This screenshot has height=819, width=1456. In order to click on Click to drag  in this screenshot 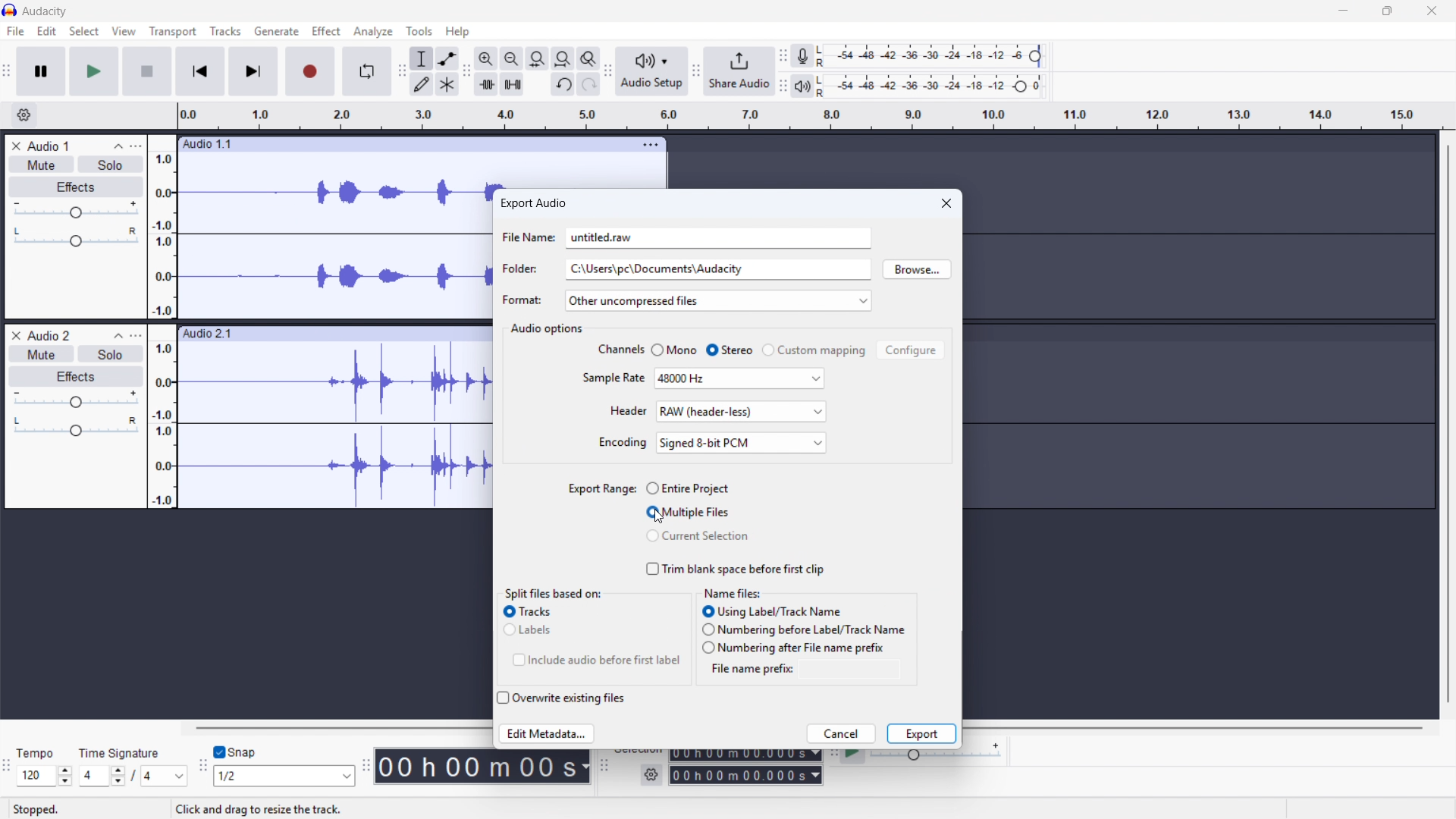, I will do `click(400, 143)`.